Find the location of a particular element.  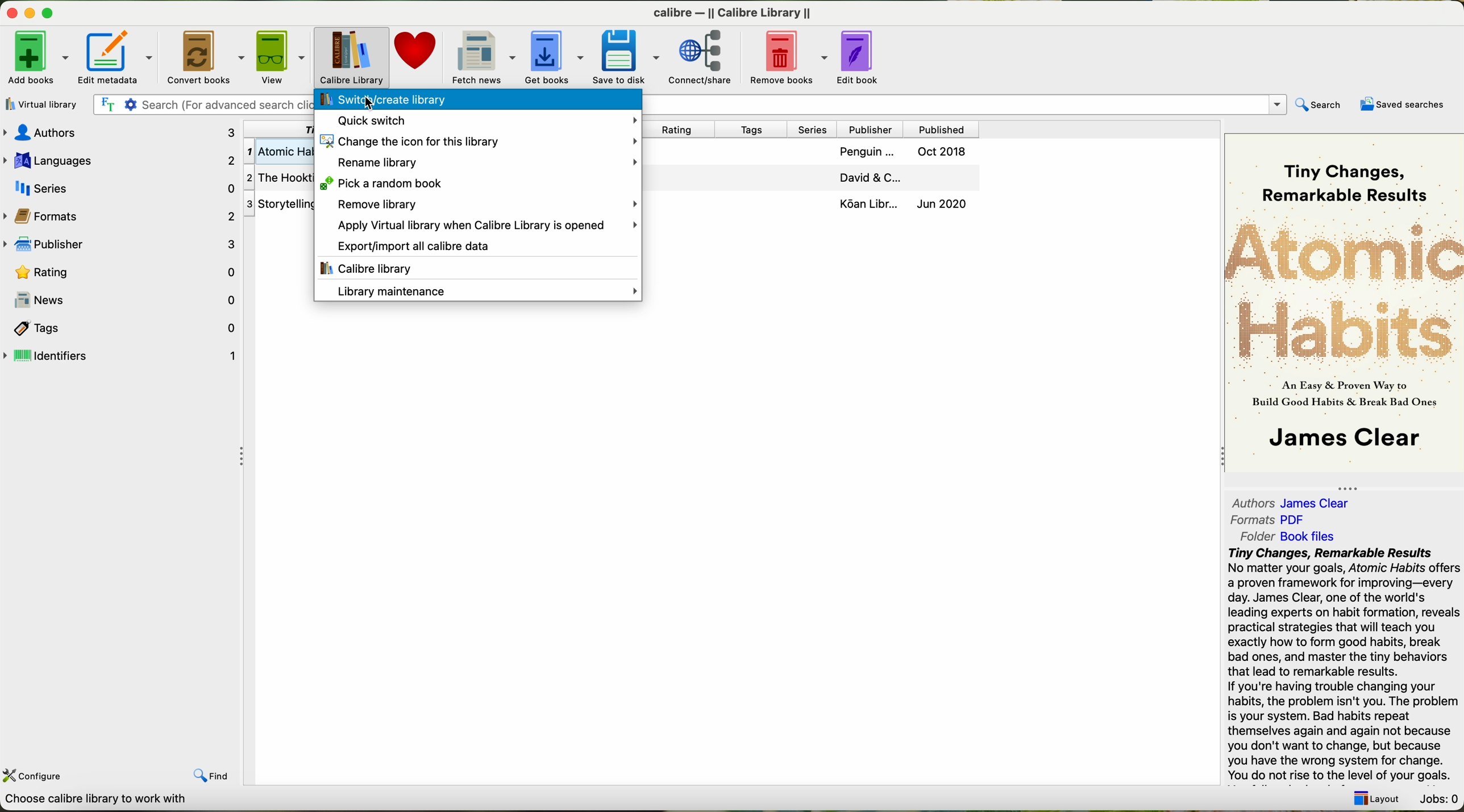

tags is located at coordinates (121, 328).